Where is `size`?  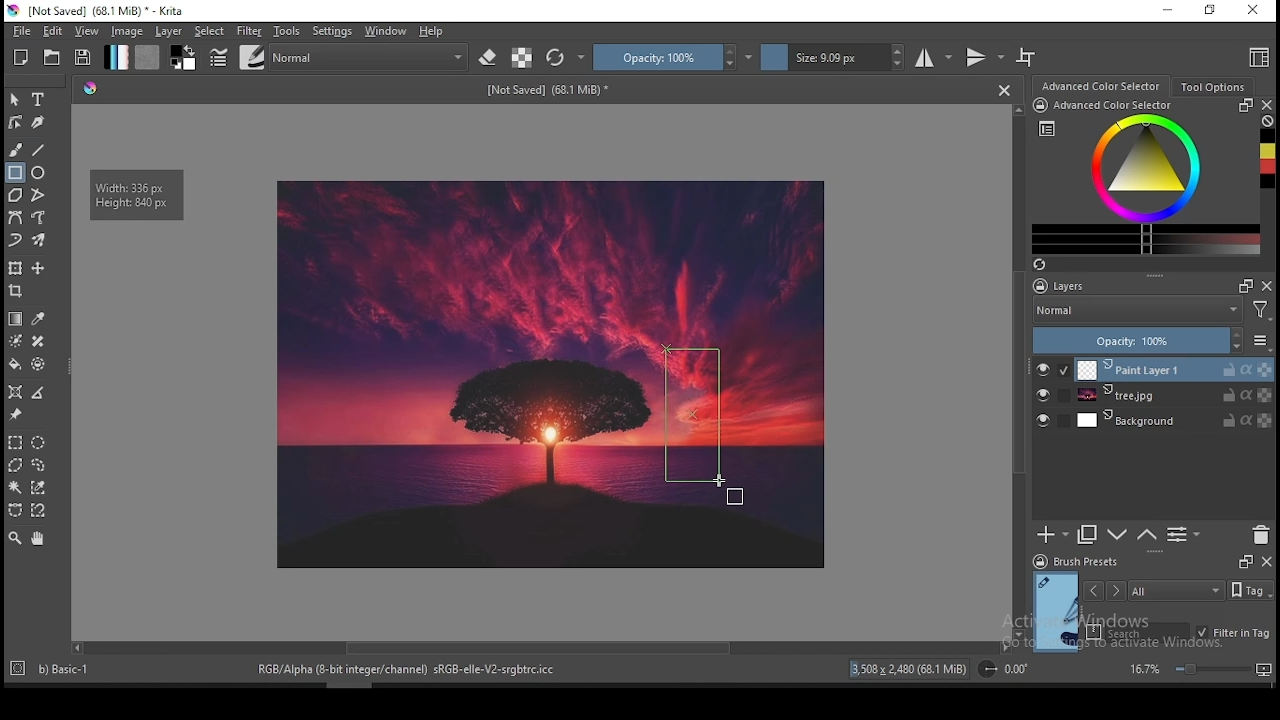 size is located at coordinates (833, 58).